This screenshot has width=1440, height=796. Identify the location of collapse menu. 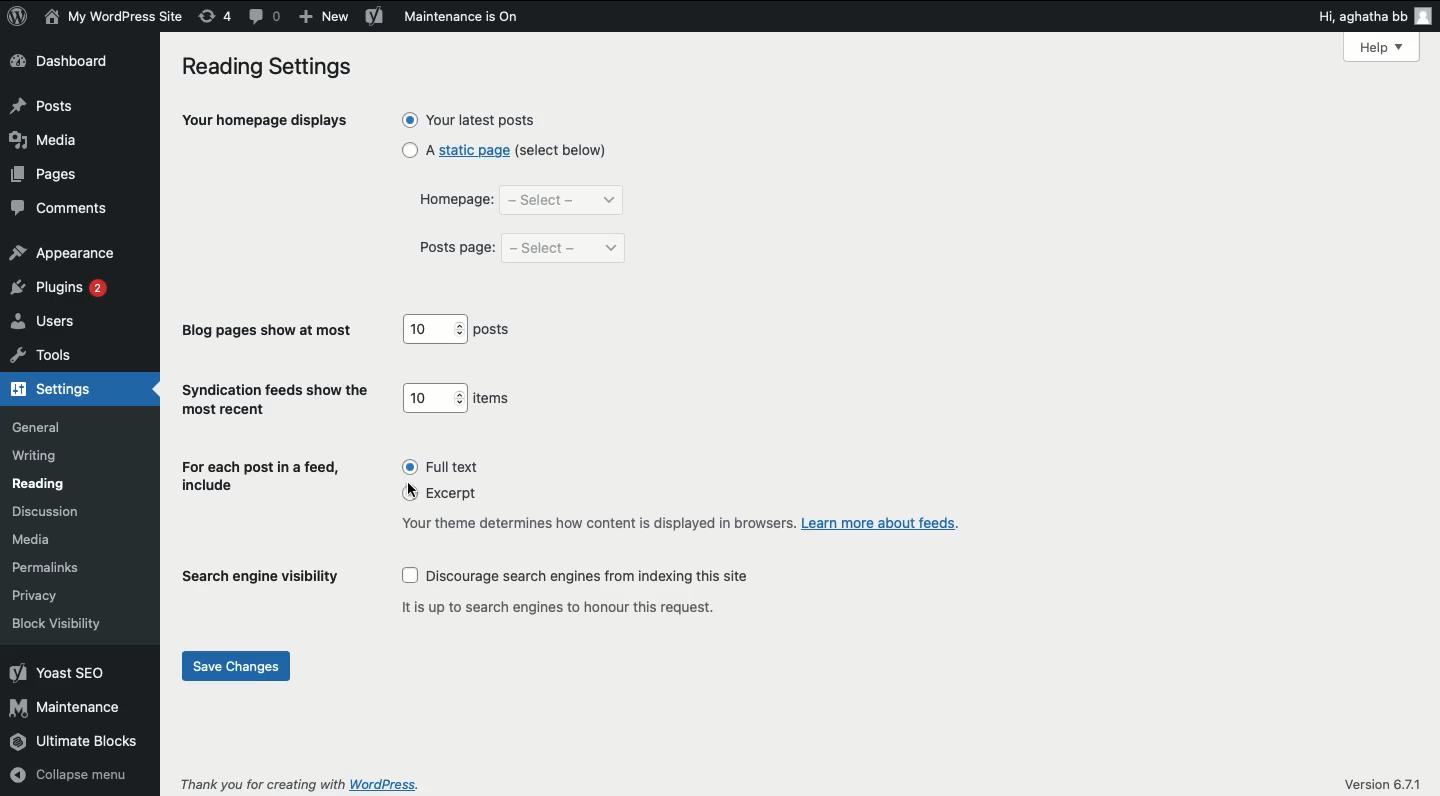
(80, 776).